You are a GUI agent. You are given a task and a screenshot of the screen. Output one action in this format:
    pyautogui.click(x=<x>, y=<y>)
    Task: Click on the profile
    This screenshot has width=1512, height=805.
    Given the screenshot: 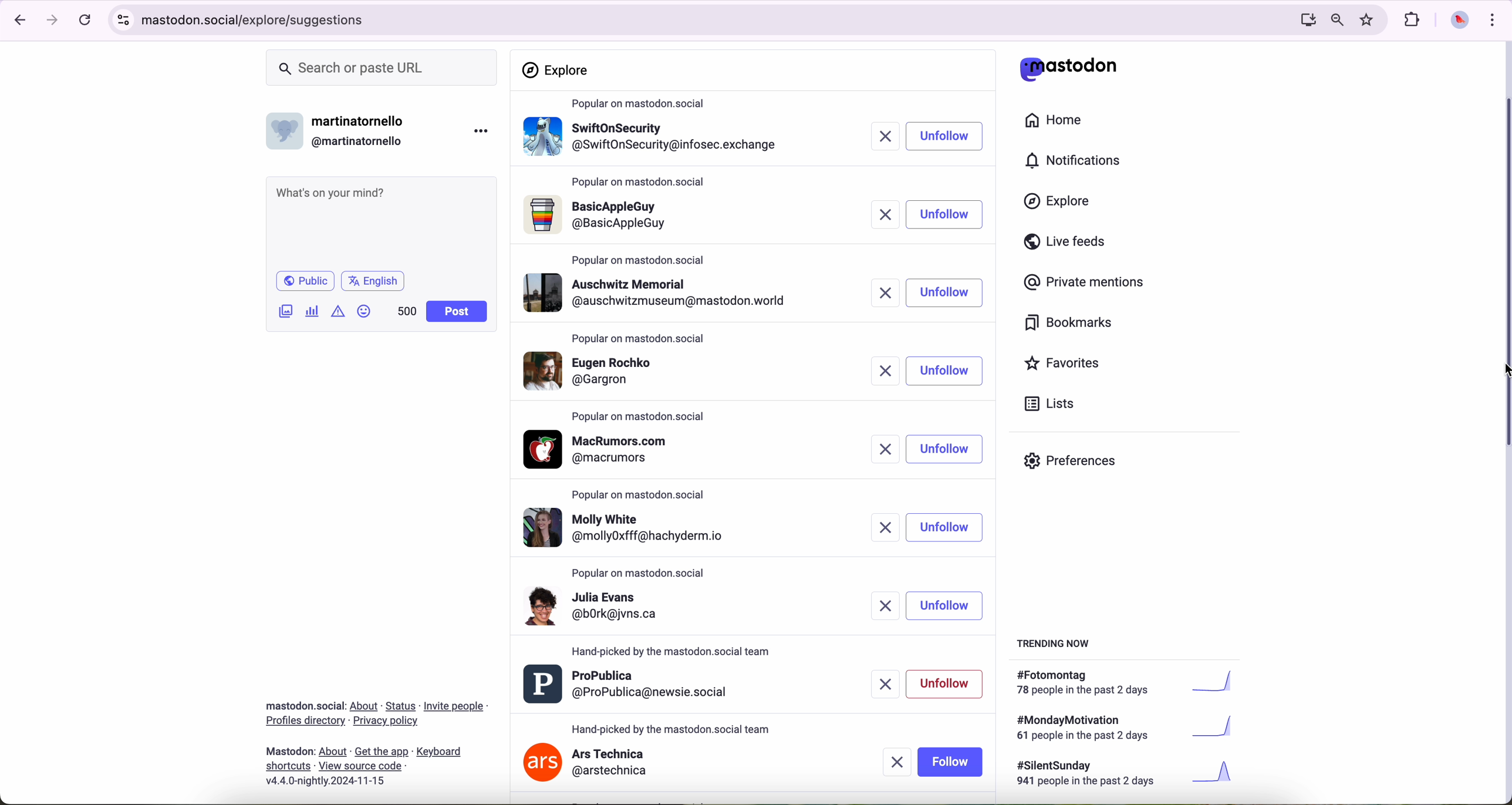 What is the action you would take?
    pyautogui.click(x=655, y=292)
    